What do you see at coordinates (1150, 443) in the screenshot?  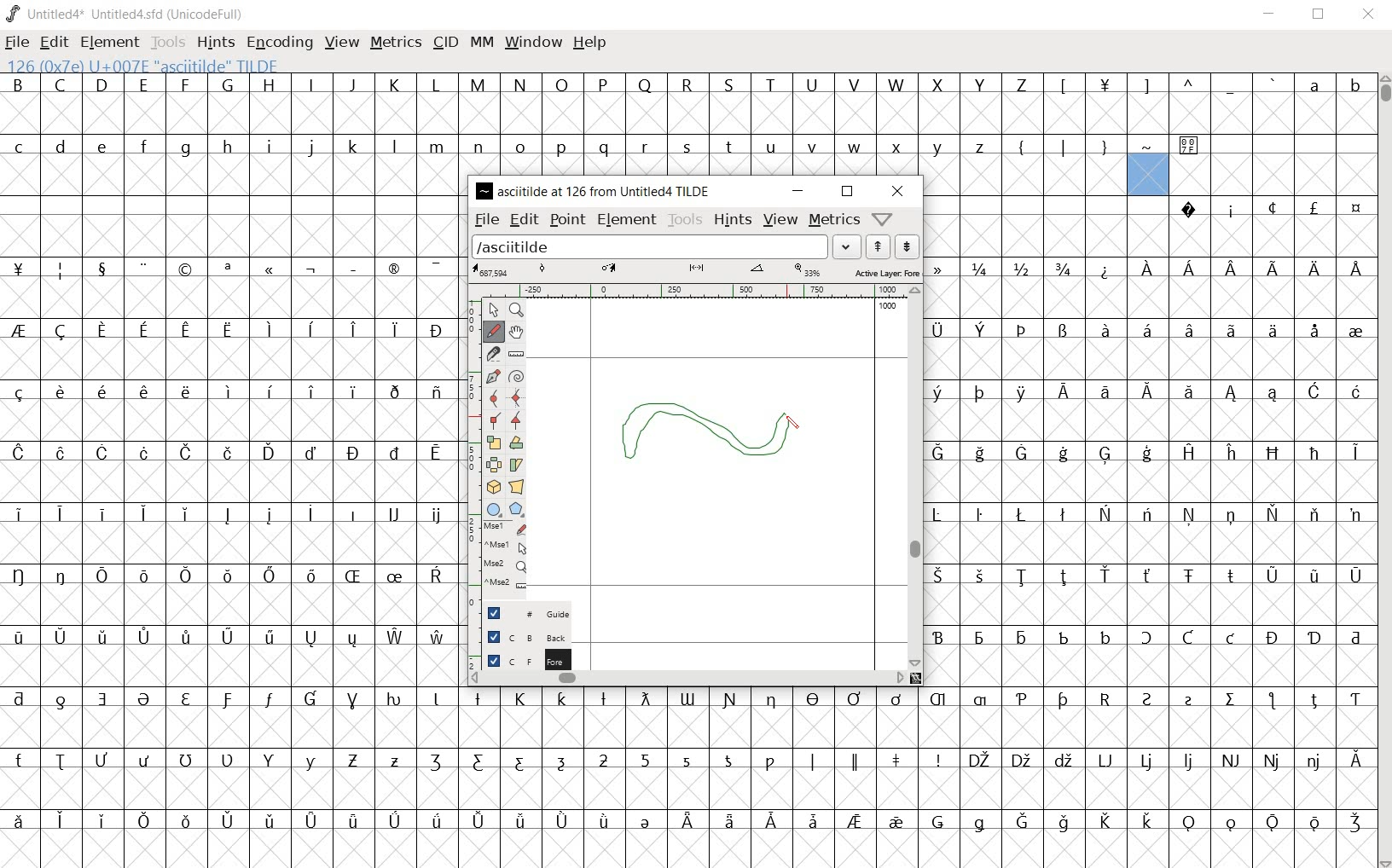 I see `glyph characters` at bounding box center [1150, 443].